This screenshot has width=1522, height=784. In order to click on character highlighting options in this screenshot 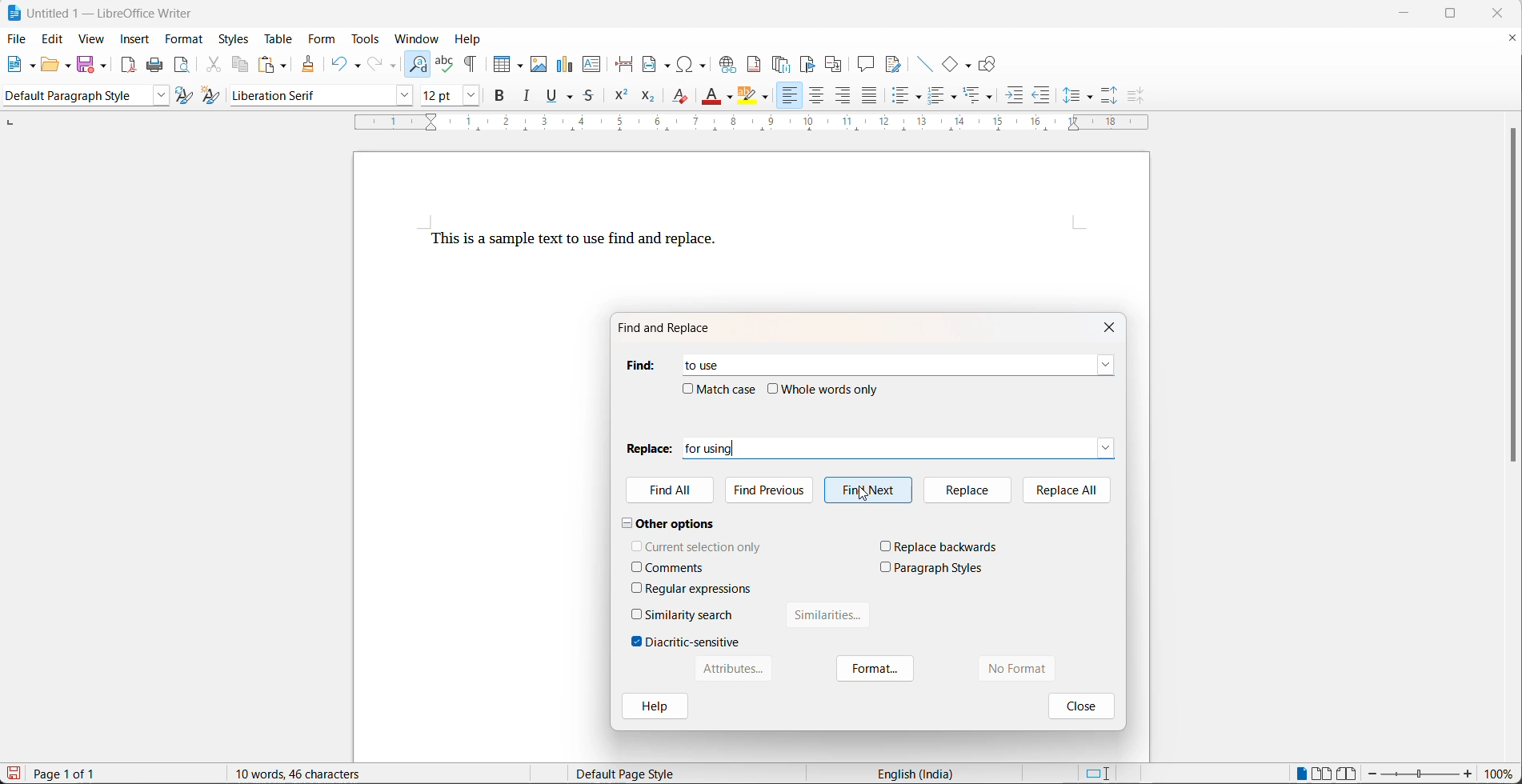, I will do `click(768, 98)`.